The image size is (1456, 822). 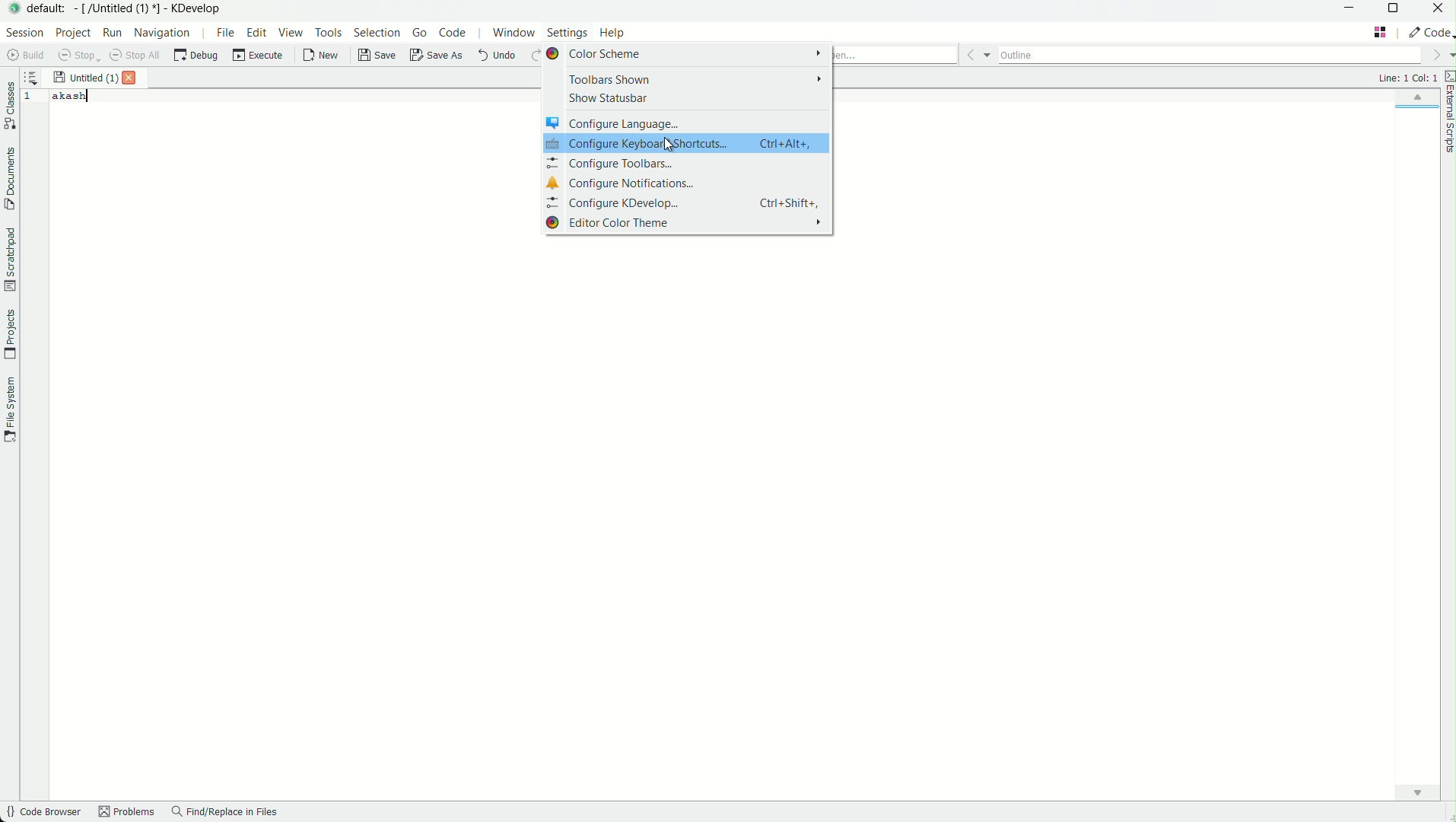 What do you see at coordinates (293, 33) in the screenshot?
I see `view menu` at bounding box center [293, 33].